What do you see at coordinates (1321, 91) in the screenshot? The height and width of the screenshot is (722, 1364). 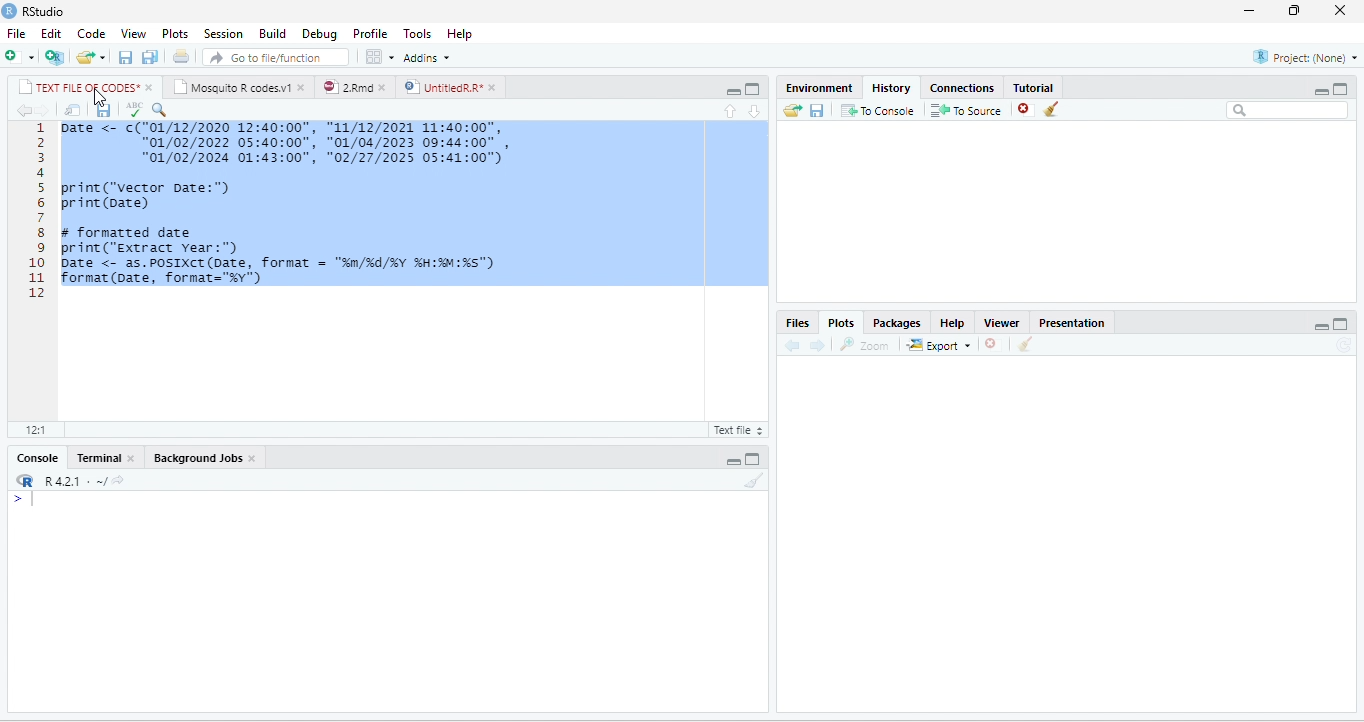 I see `minimize` at bounding box center [1321, 91].